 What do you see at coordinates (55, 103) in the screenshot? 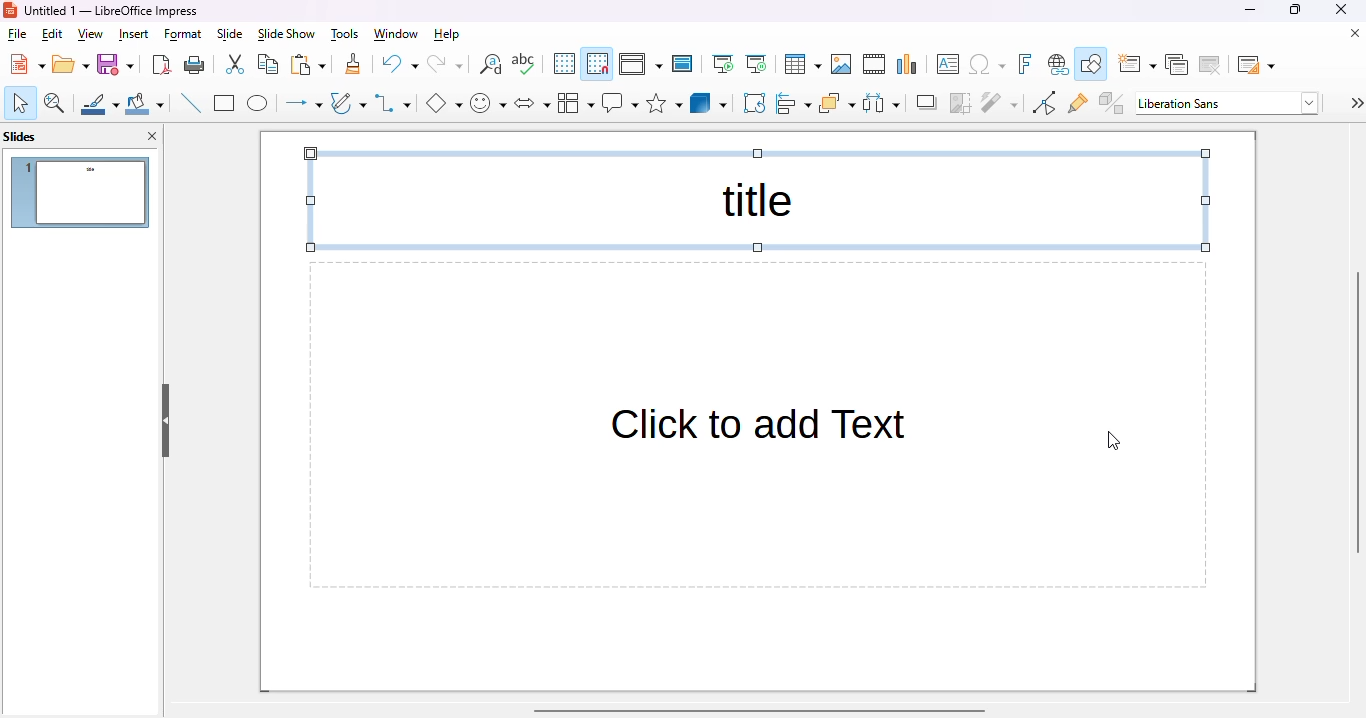
I see `zoom & pan` at bounding box center [55, 103].